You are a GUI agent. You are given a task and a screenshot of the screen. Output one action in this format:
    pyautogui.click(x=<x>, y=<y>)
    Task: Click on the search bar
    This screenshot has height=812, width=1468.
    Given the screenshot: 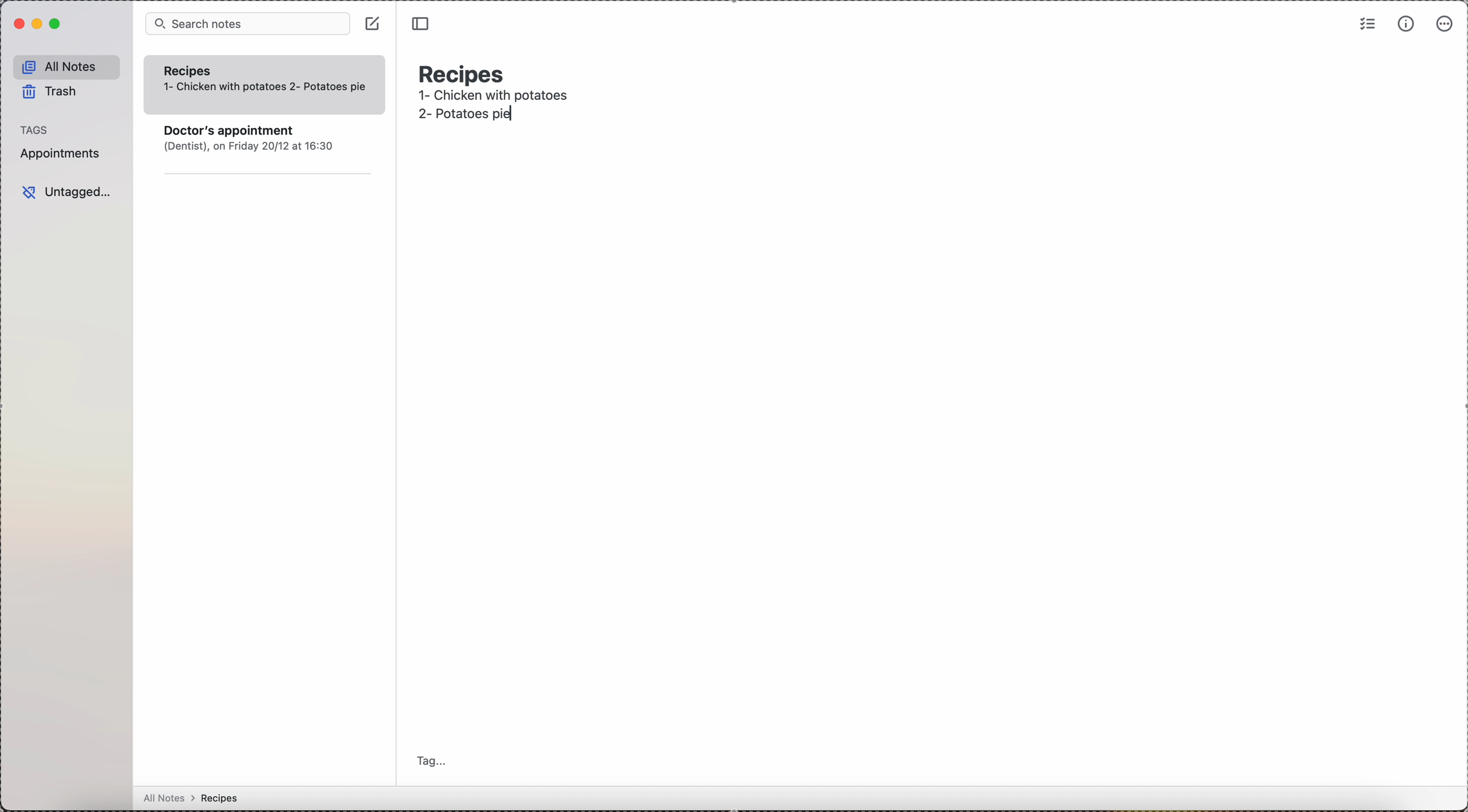 What is the action you would take?
    pyautogui.click(x=247, y=24)
    